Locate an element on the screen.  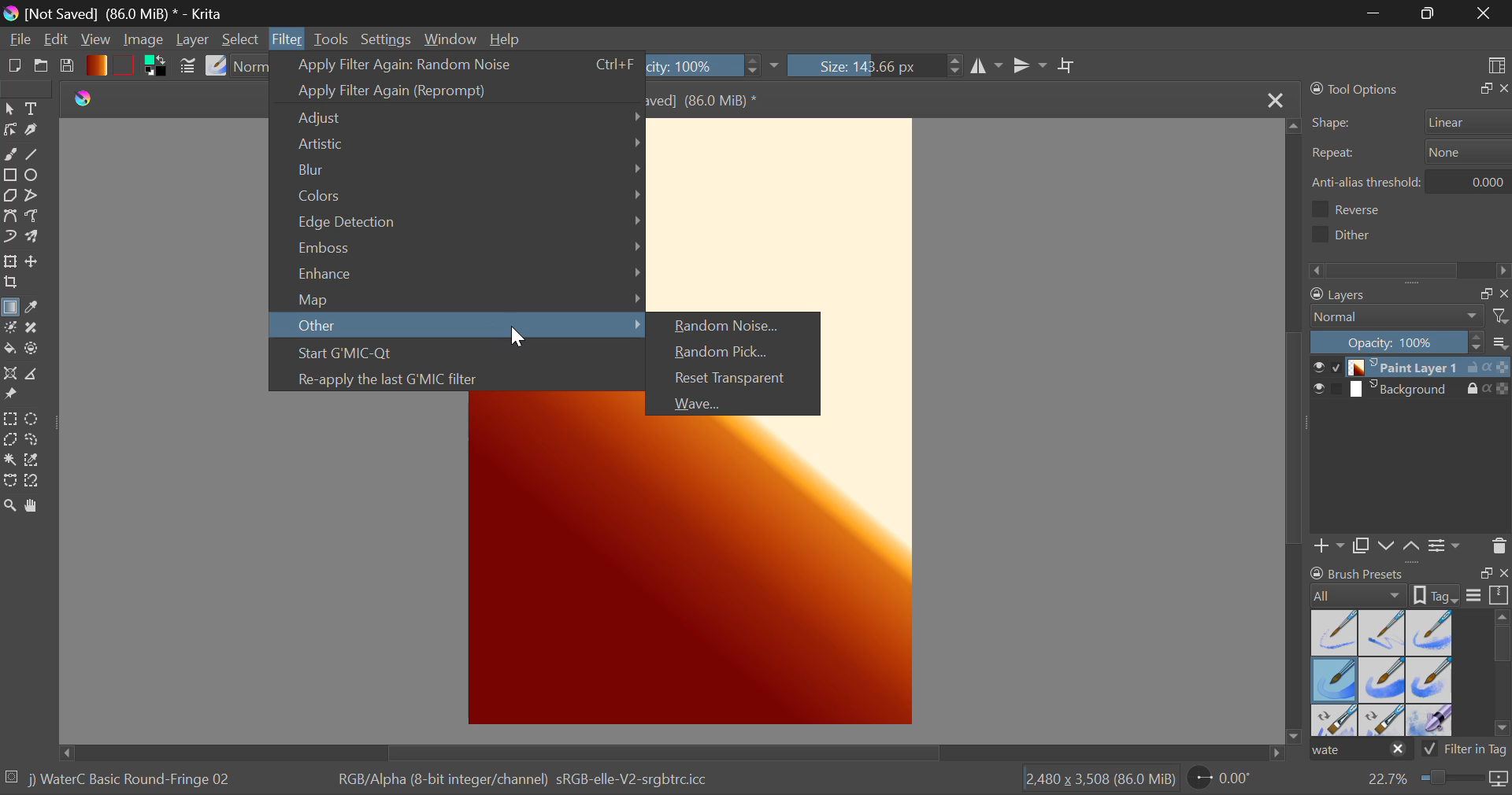
Edge Detection is located at coordinates (457, 224).